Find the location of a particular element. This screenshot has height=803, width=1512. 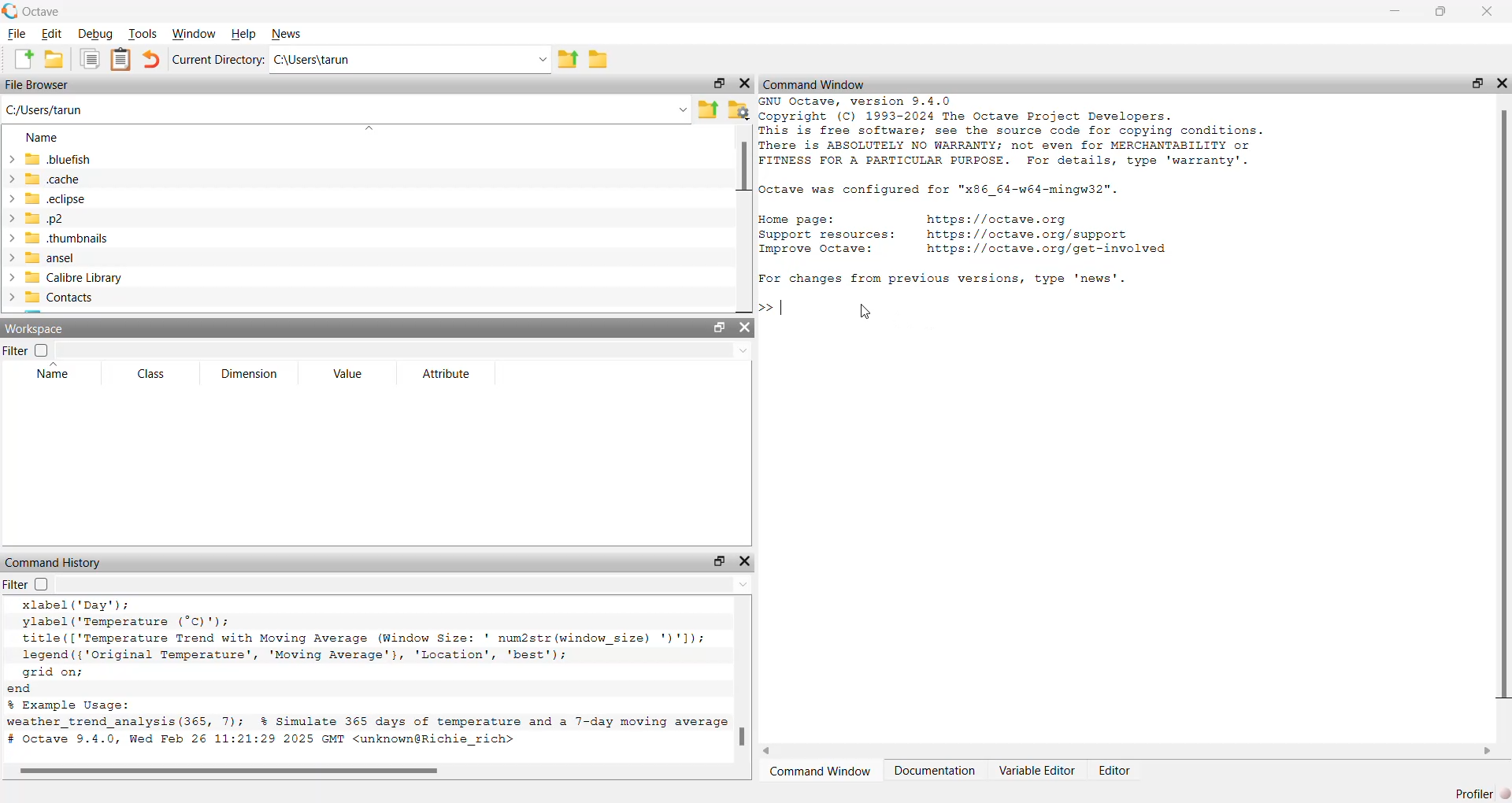

bluefish is located at coordinates (55, 158).